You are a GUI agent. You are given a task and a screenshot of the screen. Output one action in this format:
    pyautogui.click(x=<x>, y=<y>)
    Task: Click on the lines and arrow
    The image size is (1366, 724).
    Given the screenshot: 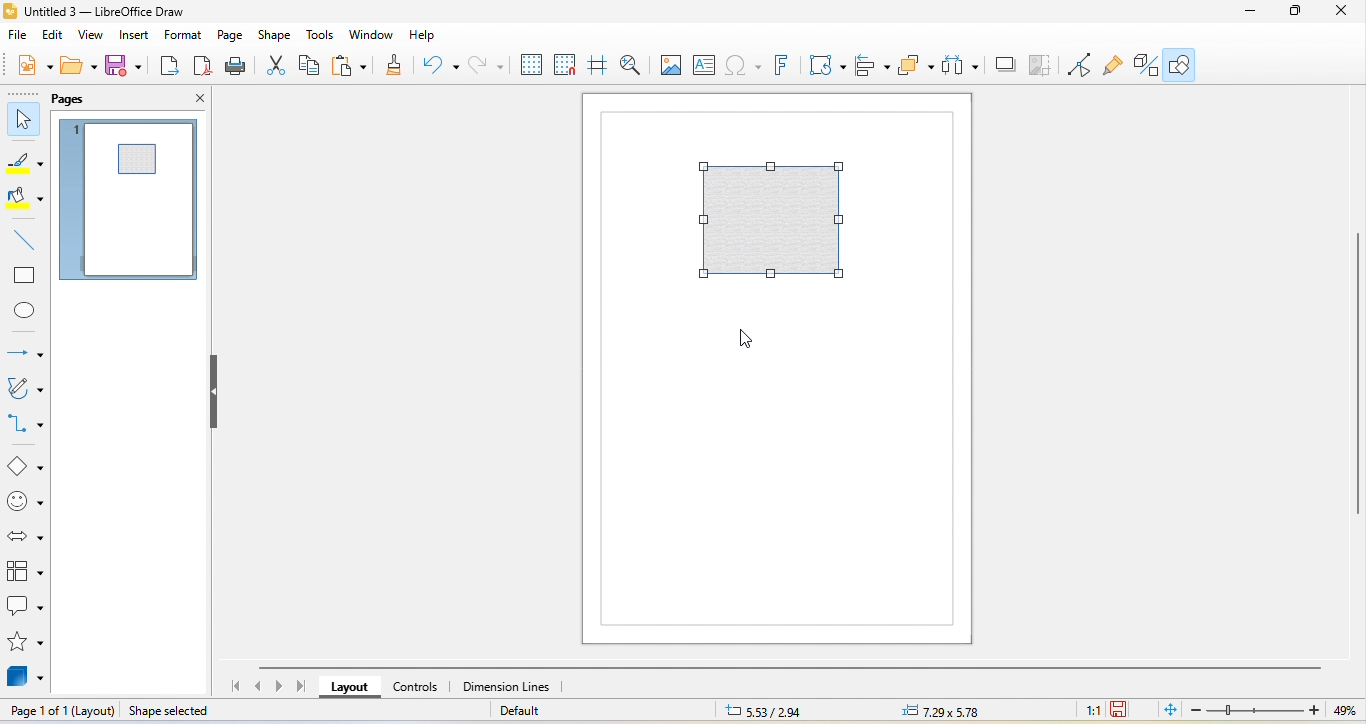 What is the action you would take?
    pyautogui.click(x=25, y=348)
    